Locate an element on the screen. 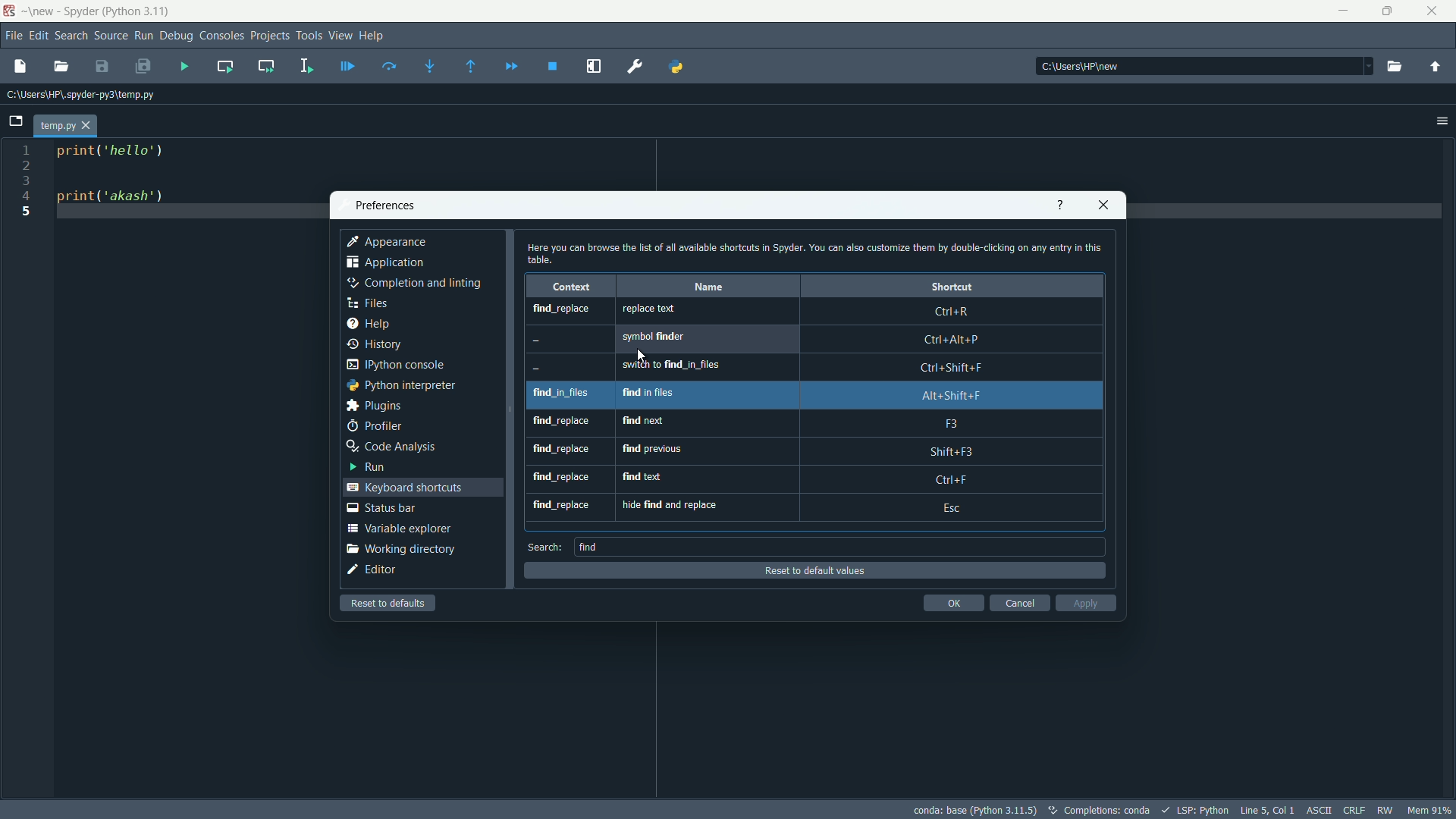  edit menu is located at coordinates (39, 37).